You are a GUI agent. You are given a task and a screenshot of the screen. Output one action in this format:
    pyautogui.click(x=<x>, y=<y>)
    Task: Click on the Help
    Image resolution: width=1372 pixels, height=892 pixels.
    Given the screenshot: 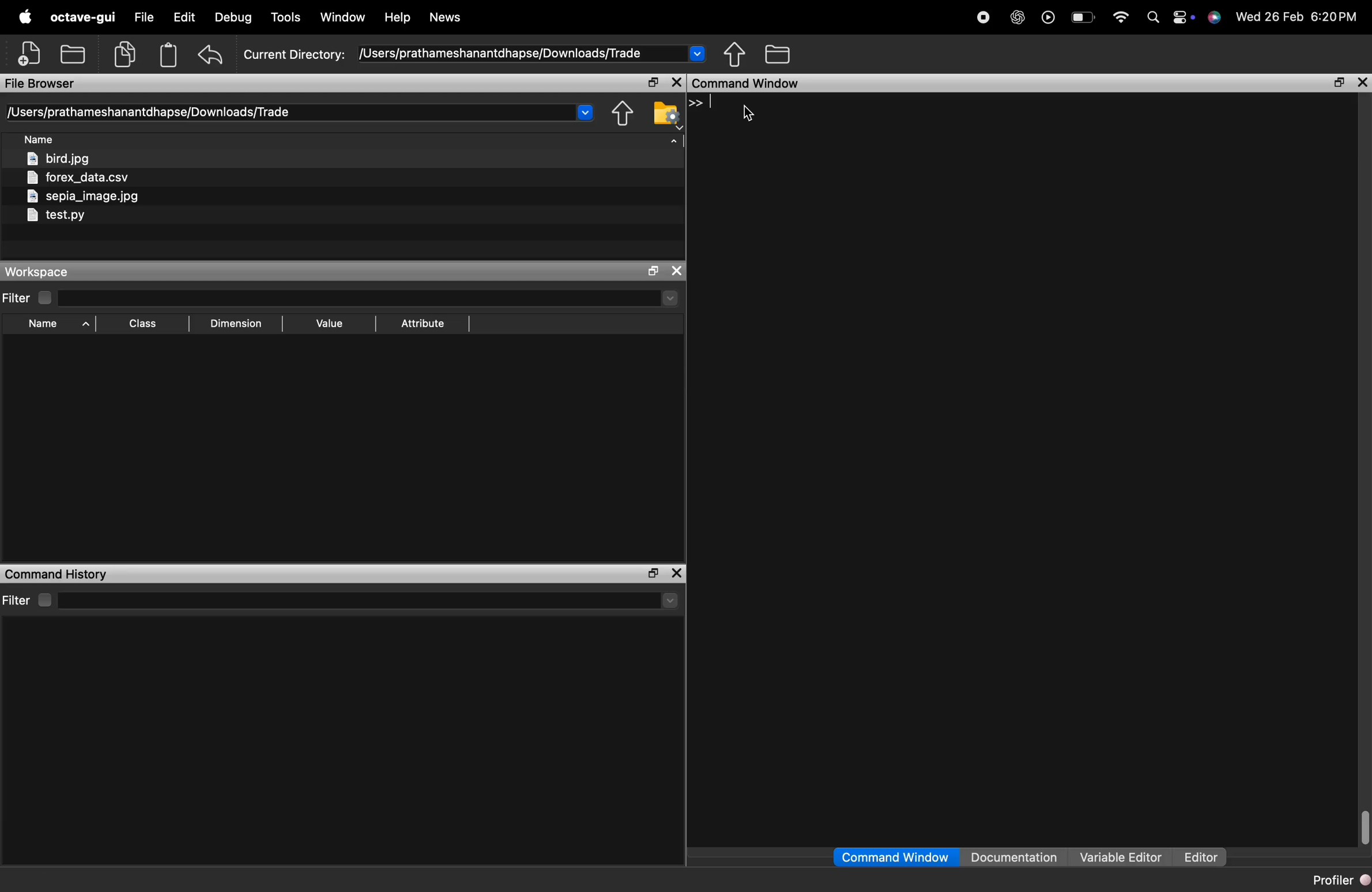 What is the action you would take?
    pyautogui.click(x=398, y=17)
    